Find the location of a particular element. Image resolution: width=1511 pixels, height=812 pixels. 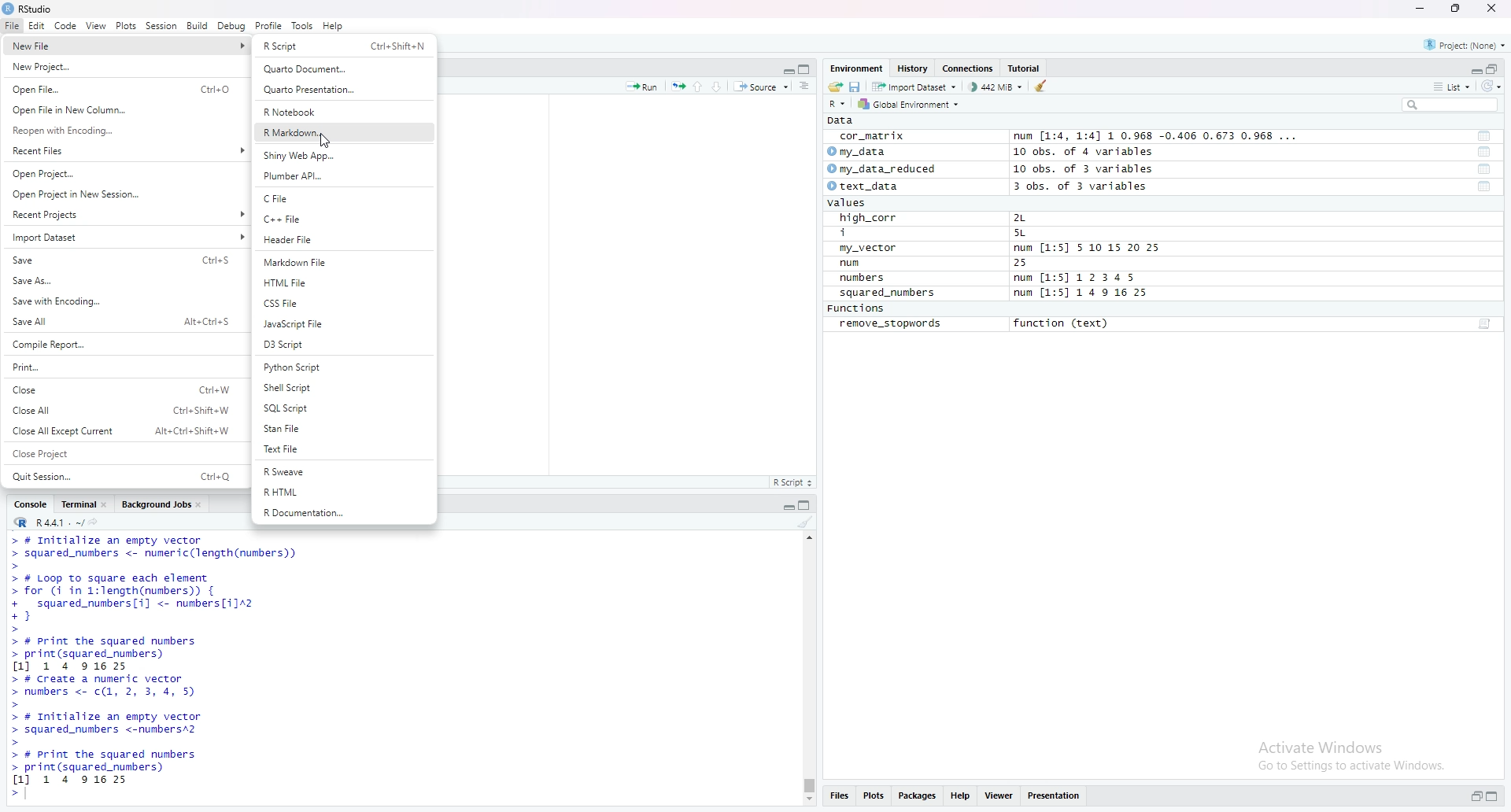

Filles is located at coordinates (838, 797).